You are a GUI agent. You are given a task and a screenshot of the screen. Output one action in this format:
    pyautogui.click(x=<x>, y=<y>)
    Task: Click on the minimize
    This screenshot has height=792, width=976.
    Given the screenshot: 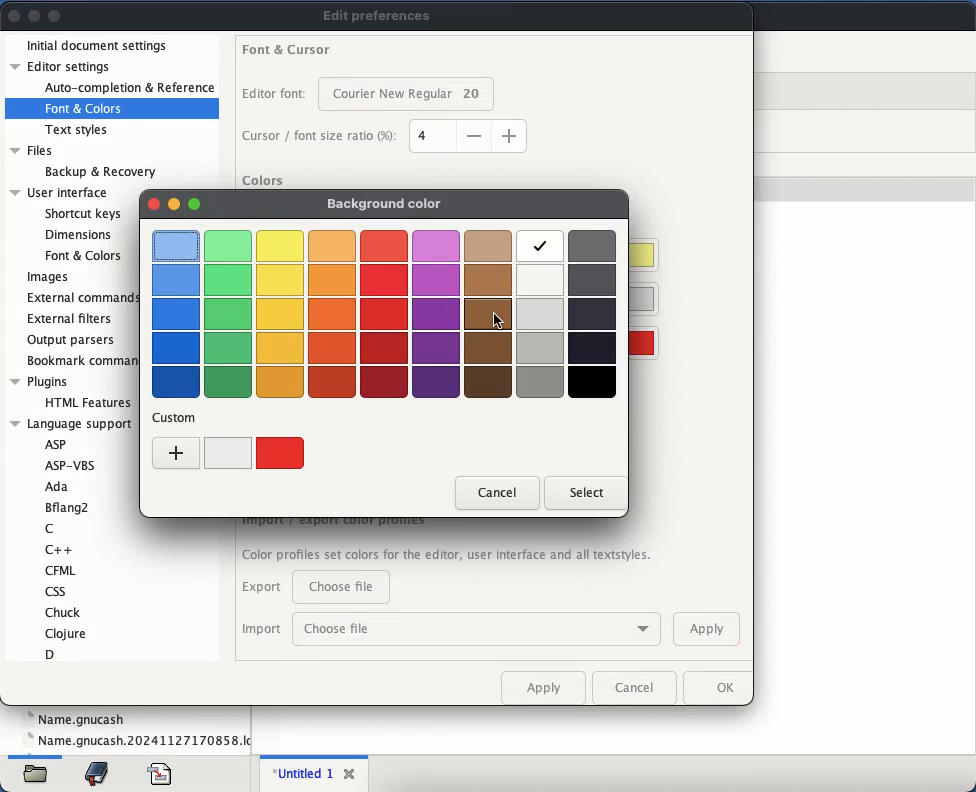 What is the action you would take?
    pyautogui.click(x=174, y=204)
    